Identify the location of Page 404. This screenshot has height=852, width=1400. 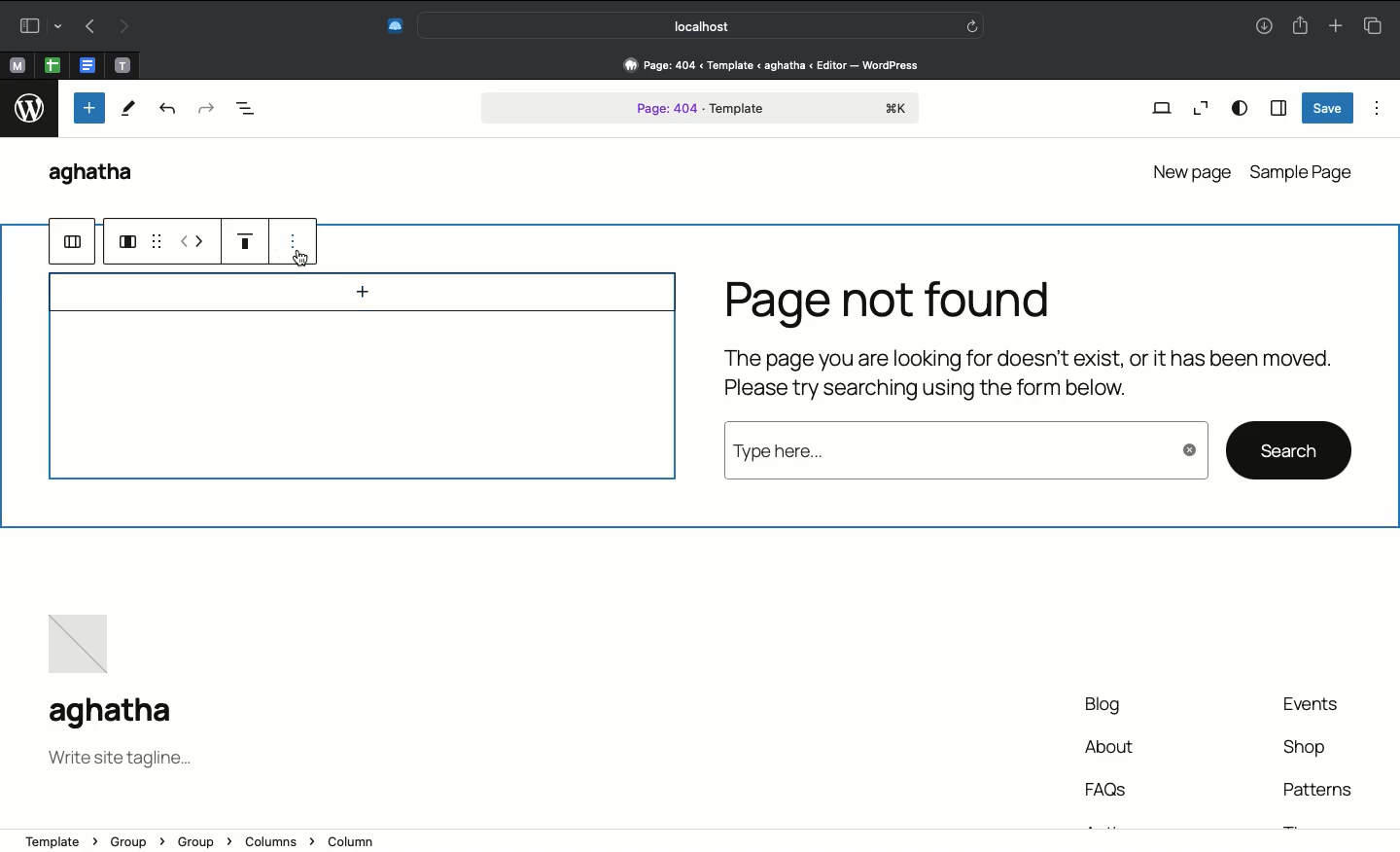
(701, 110).